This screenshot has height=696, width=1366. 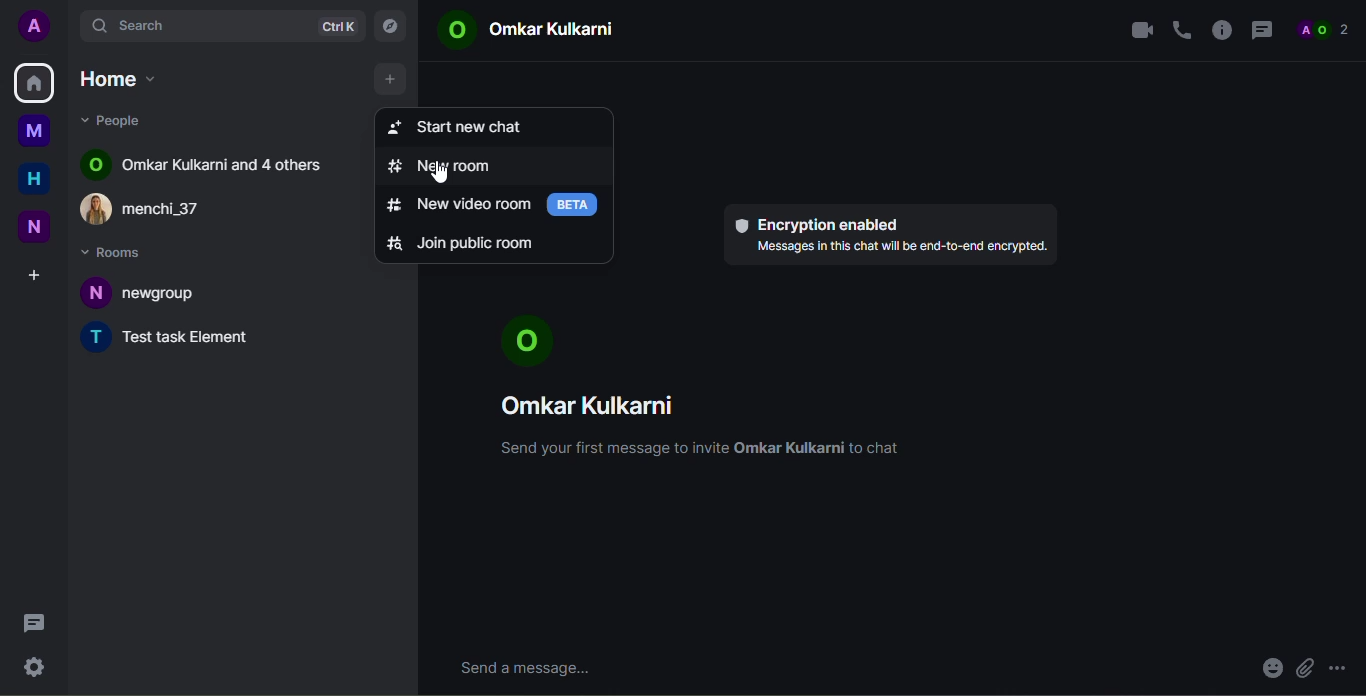 I want to click on new room, so click(x=441, y=165).